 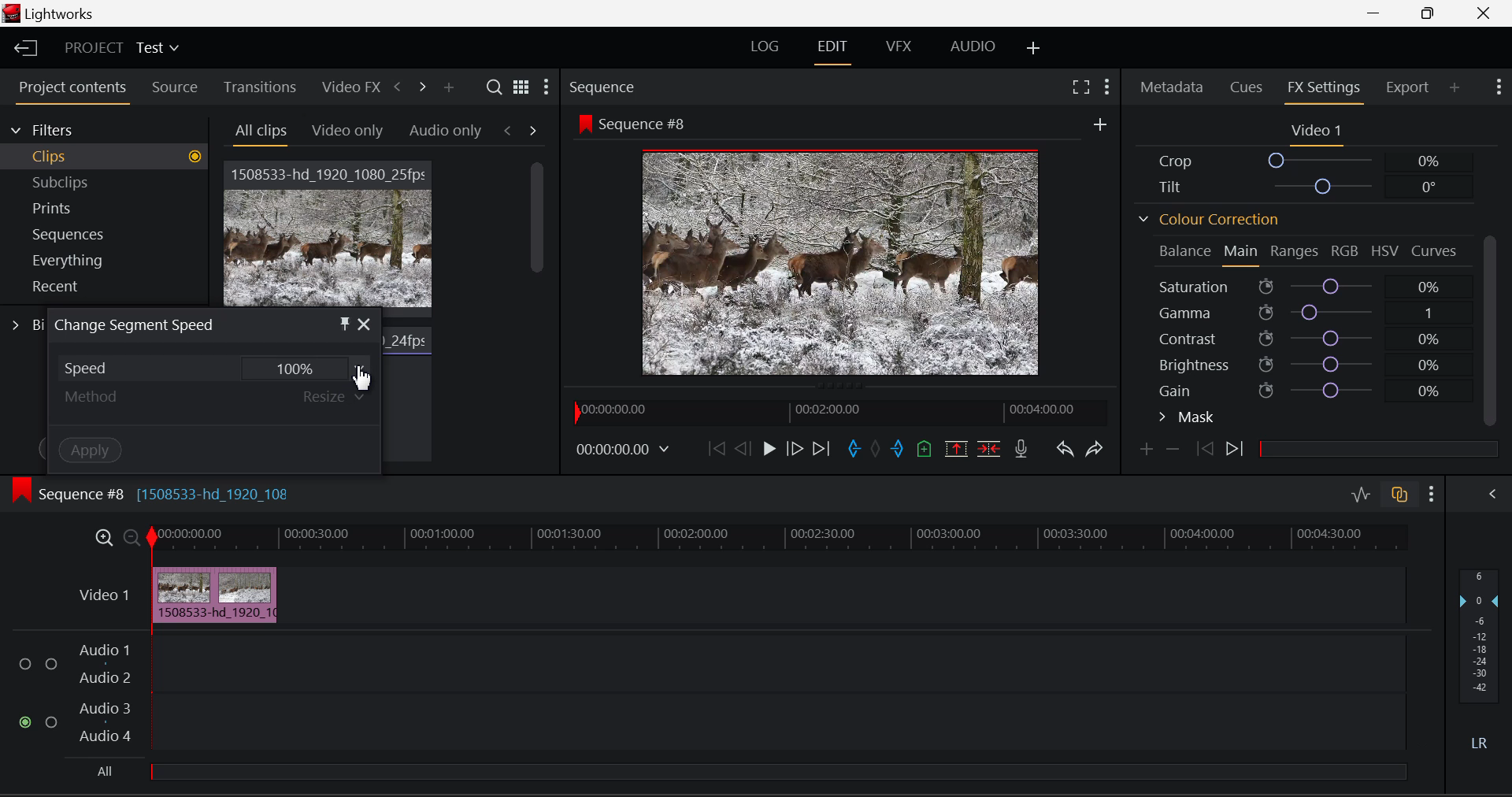 I want to click on Movement between Tabs, so click(x=521, y=131).